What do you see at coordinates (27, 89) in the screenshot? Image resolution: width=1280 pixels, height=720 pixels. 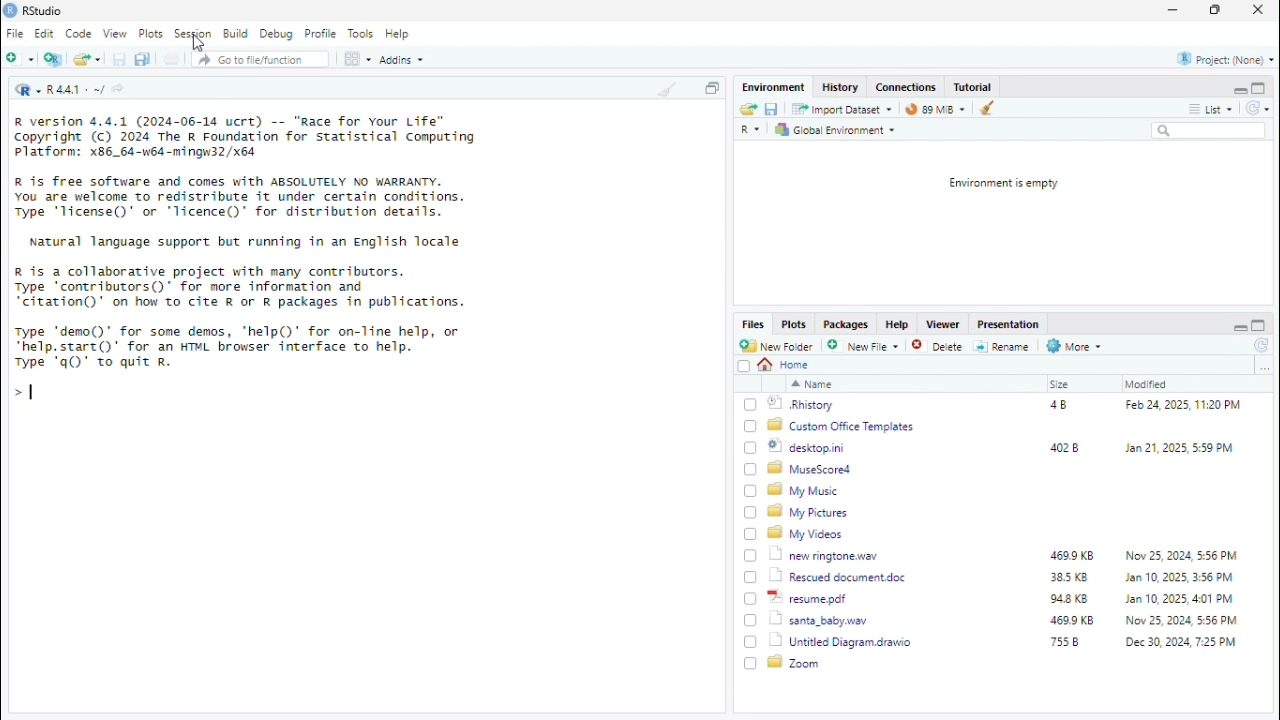 I see `R` at bounding box center [27, 89].